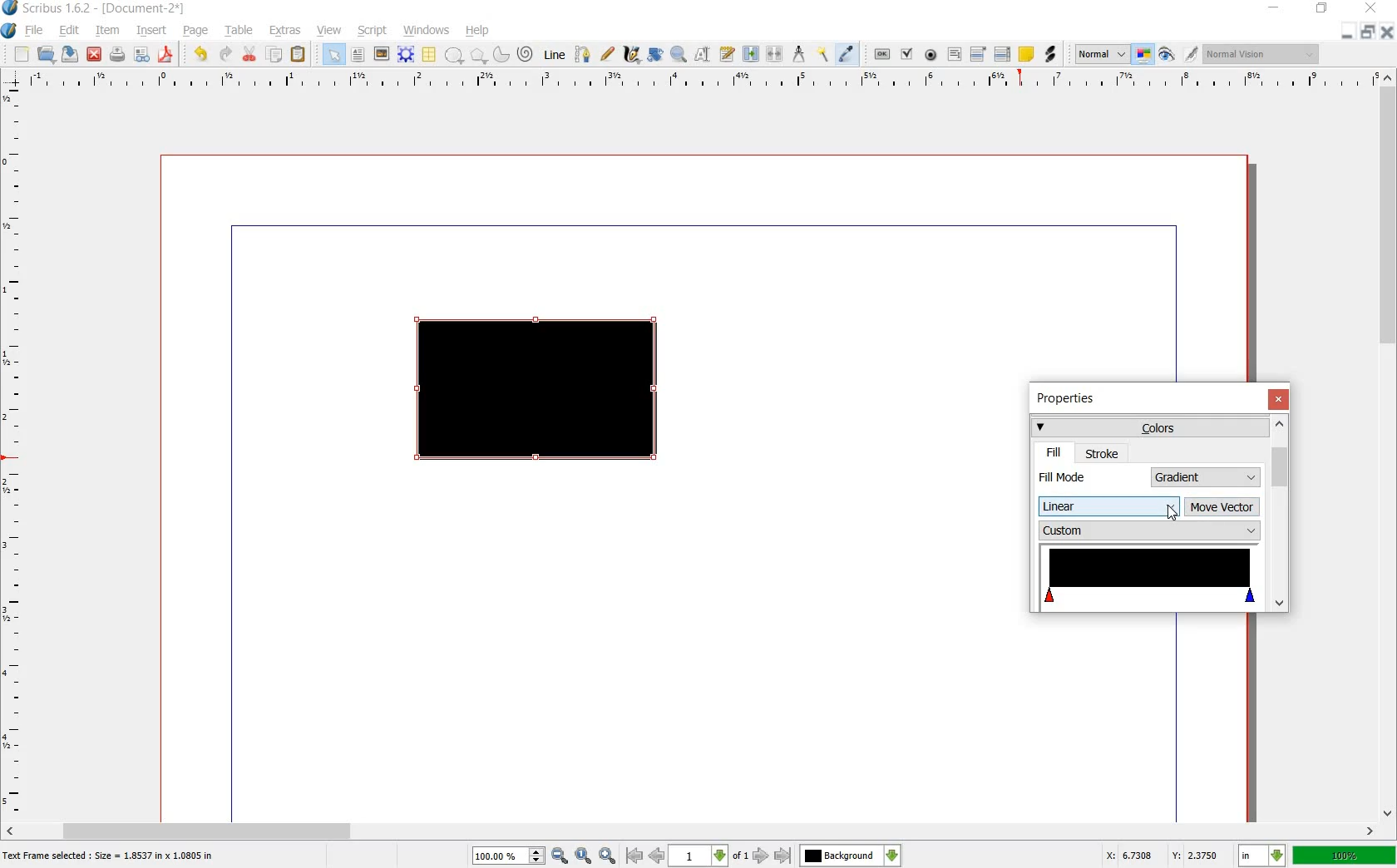 The image size is (1397, 868). What do you see at coordinates (739, 857) in the screenshot?
I see `of 1` at bounding box center [739, 857].